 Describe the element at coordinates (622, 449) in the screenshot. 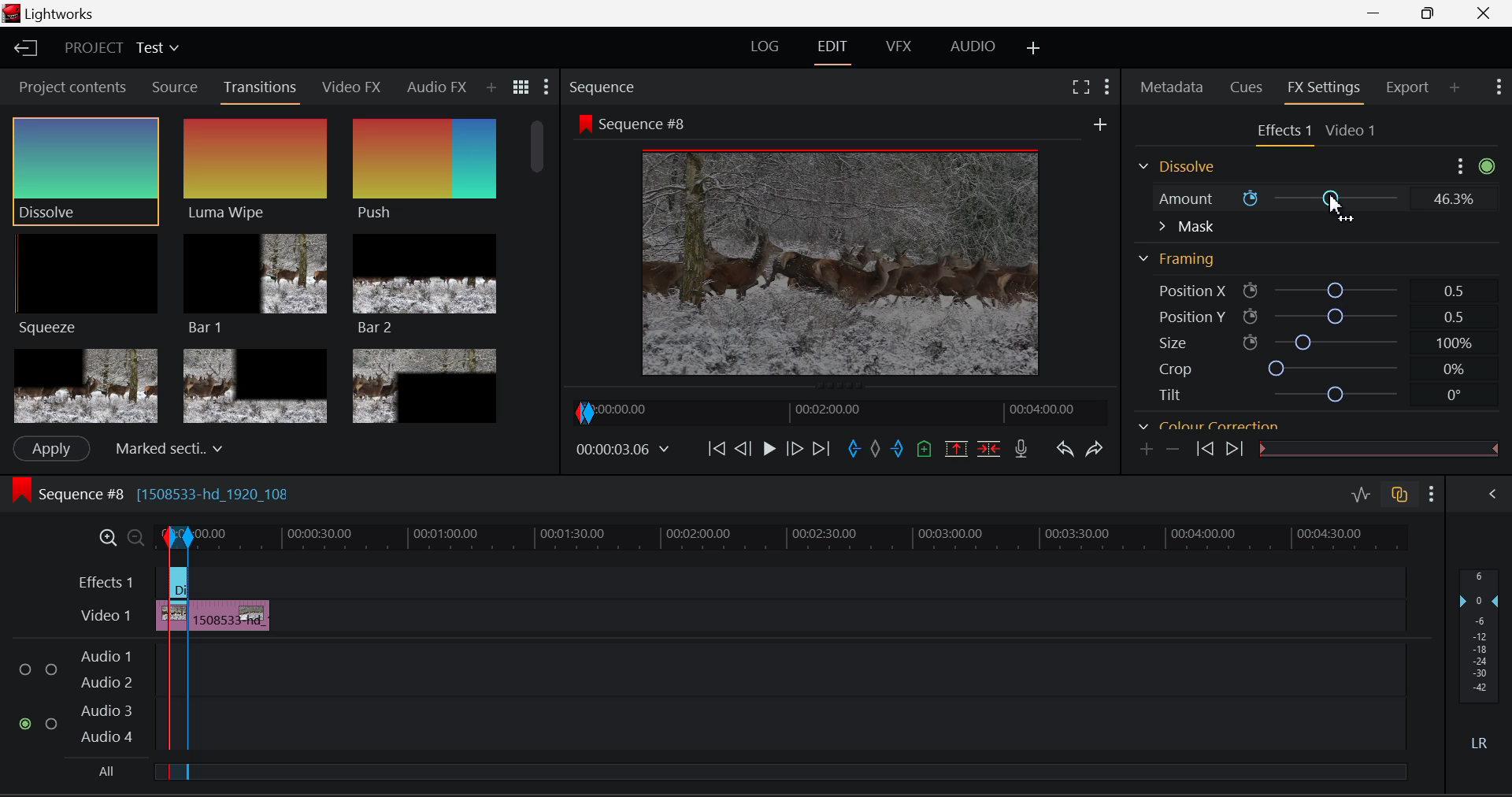

I see `Frame Time` at that location.